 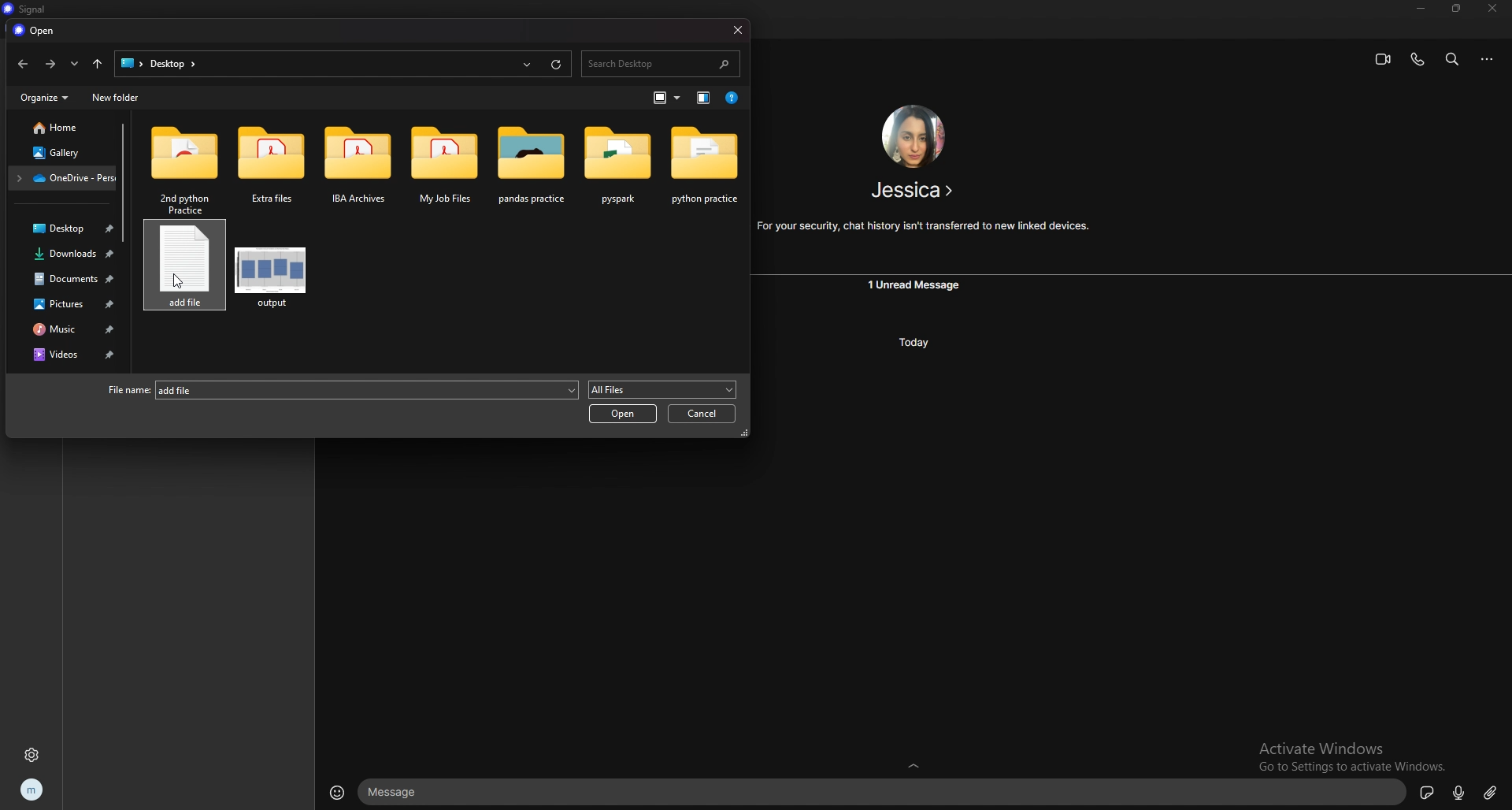 What do you see at coordinates (57, 150) in the screenshot?
I see `gallery` at bounding box center [57, 150].